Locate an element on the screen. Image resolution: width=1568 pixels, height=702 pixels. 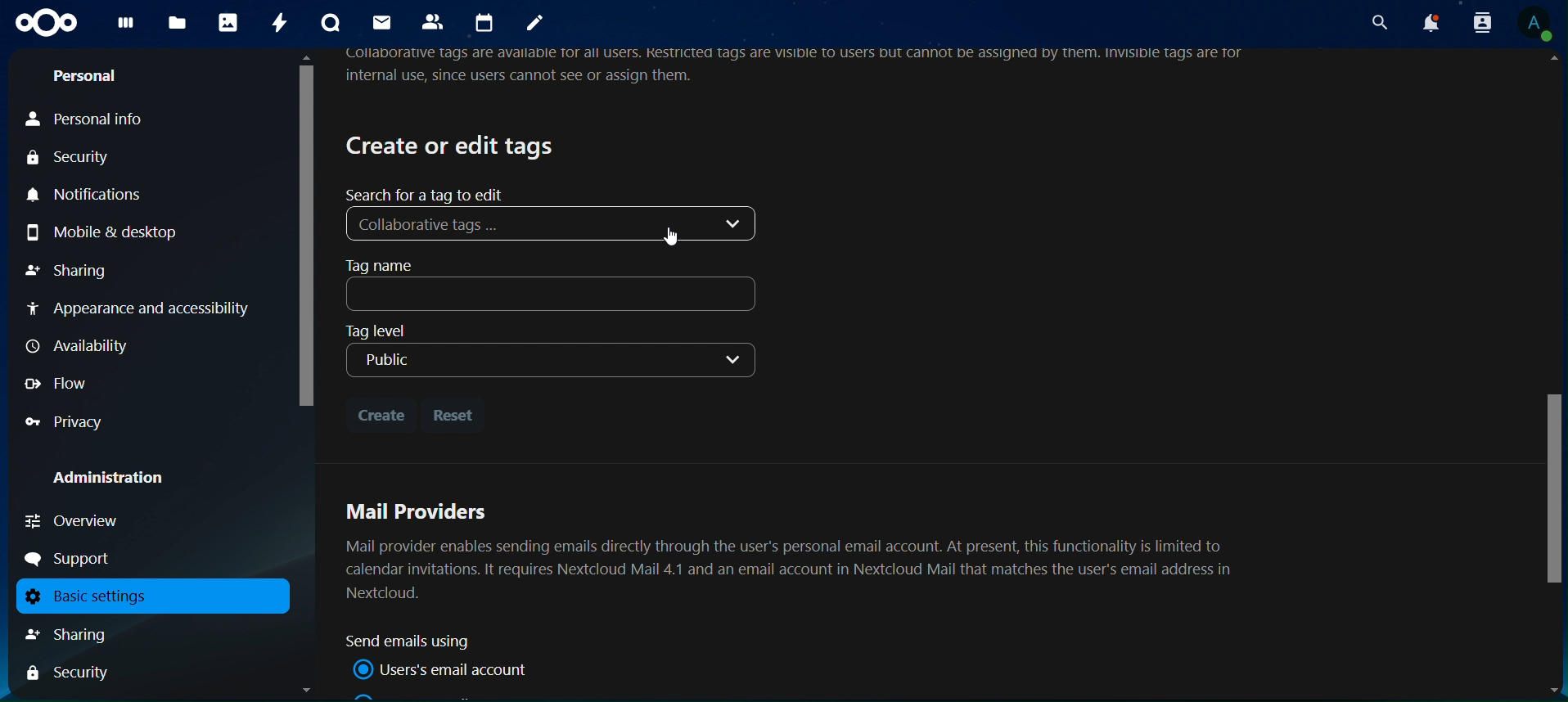
personal is located at coordinates (86, 79).